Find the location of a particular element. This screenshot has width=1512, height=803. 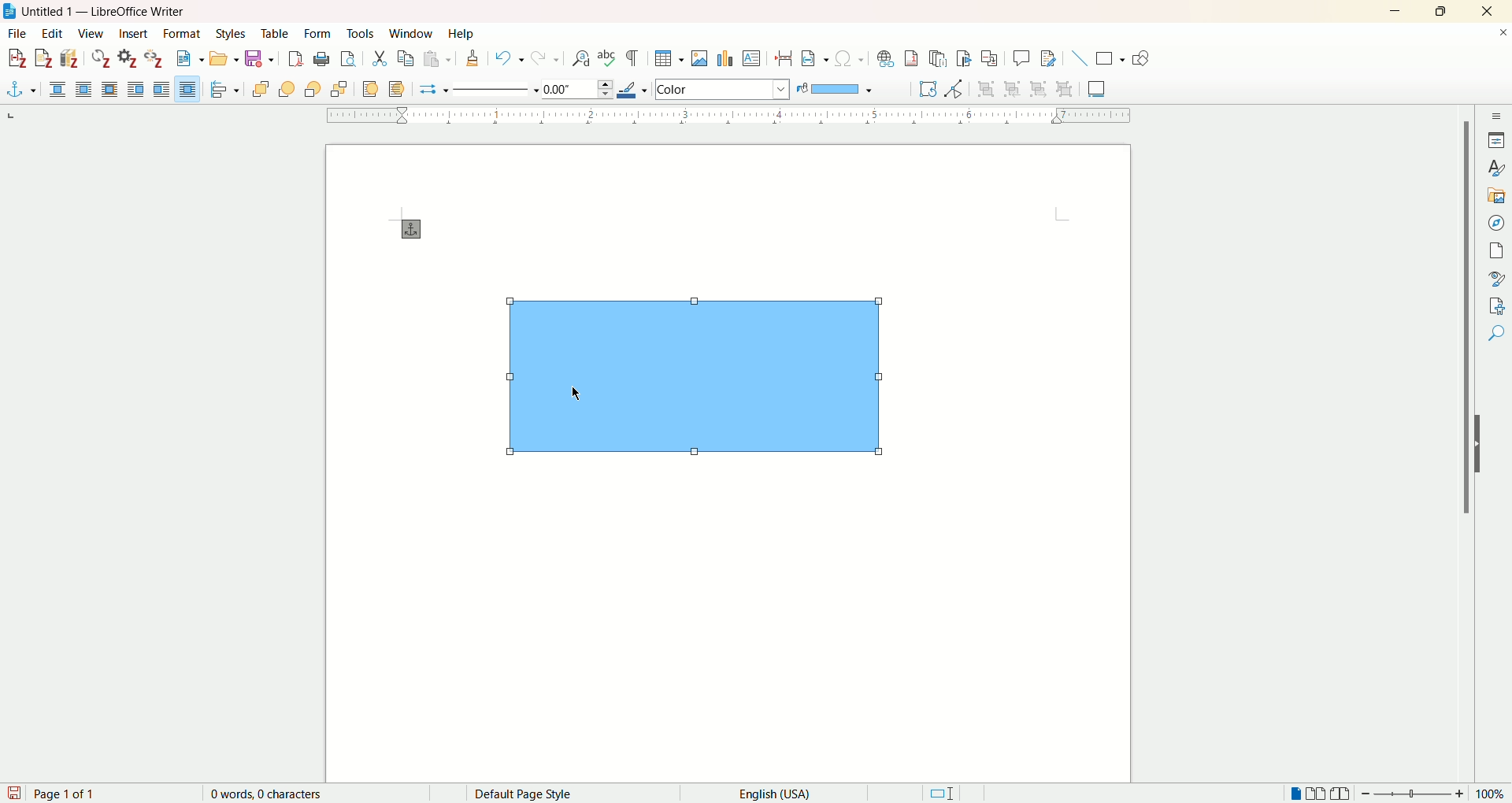

show draw functions is located at coordinates (1140, 56).